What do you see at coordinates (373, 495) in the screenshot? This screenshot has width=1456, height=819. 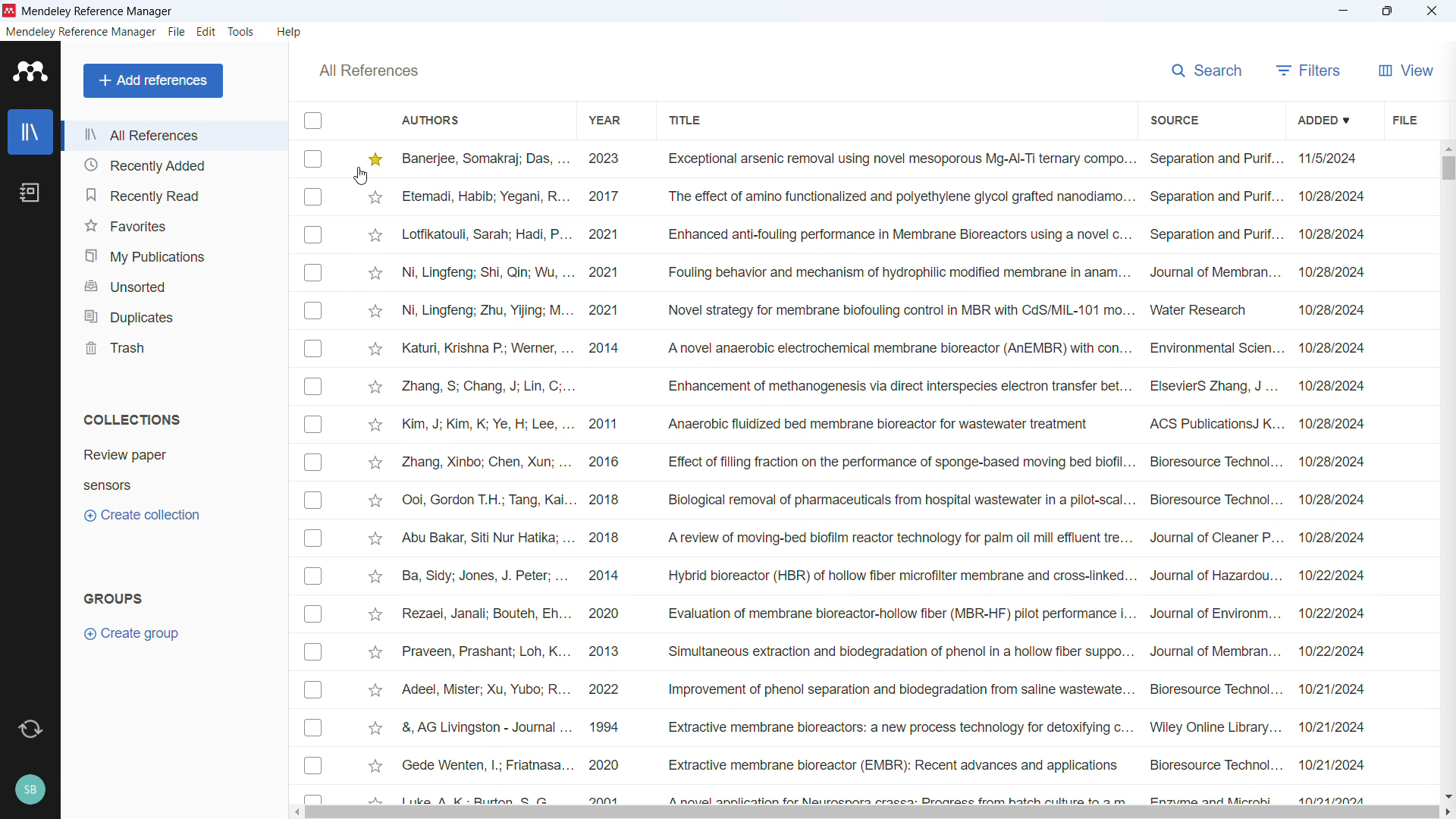 I see `Click to starmark individual entry` at bounding box center [373, 495].